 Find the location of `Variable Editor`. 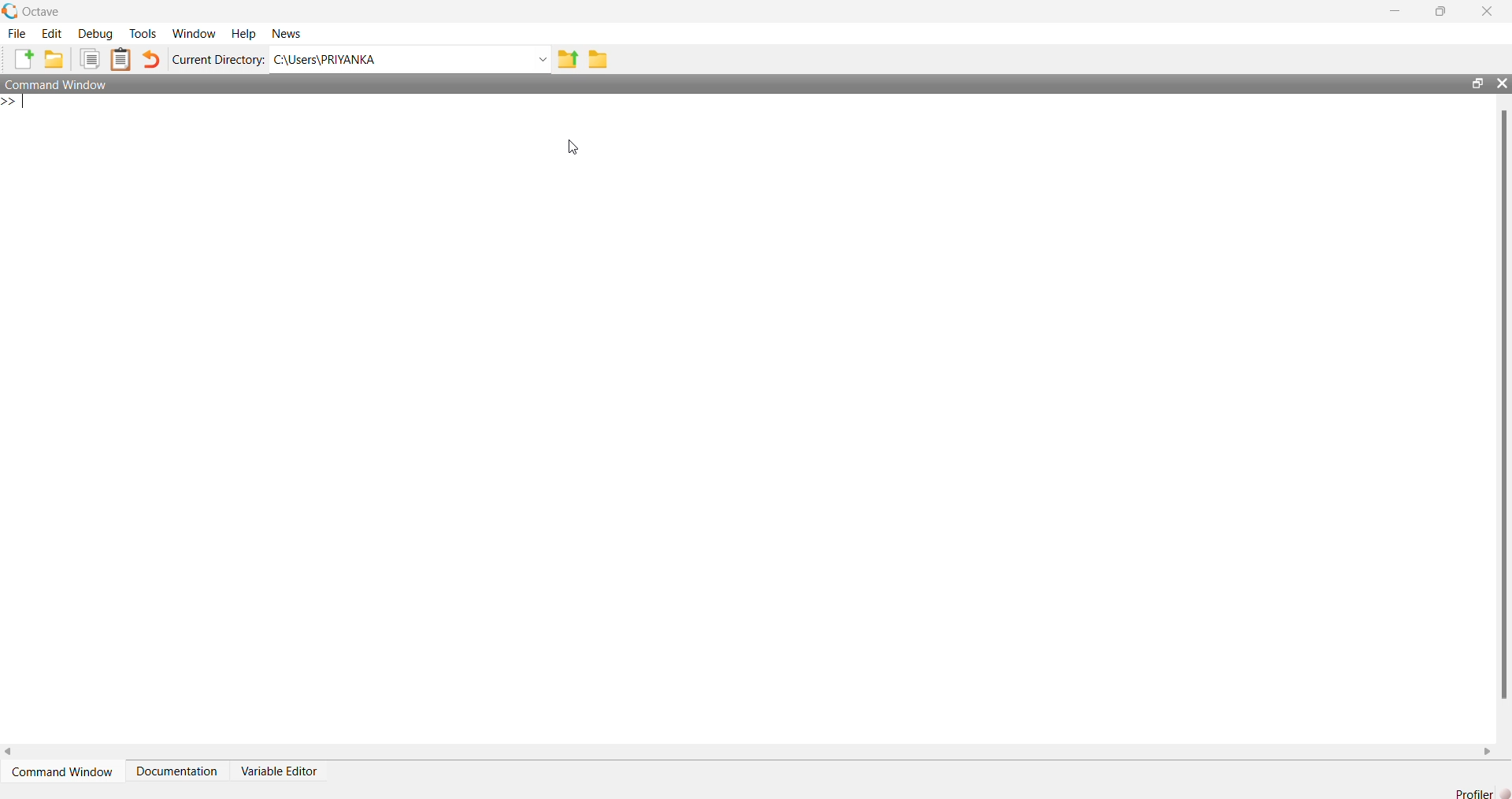

Variable Editor is located at coordinates (278, 771).